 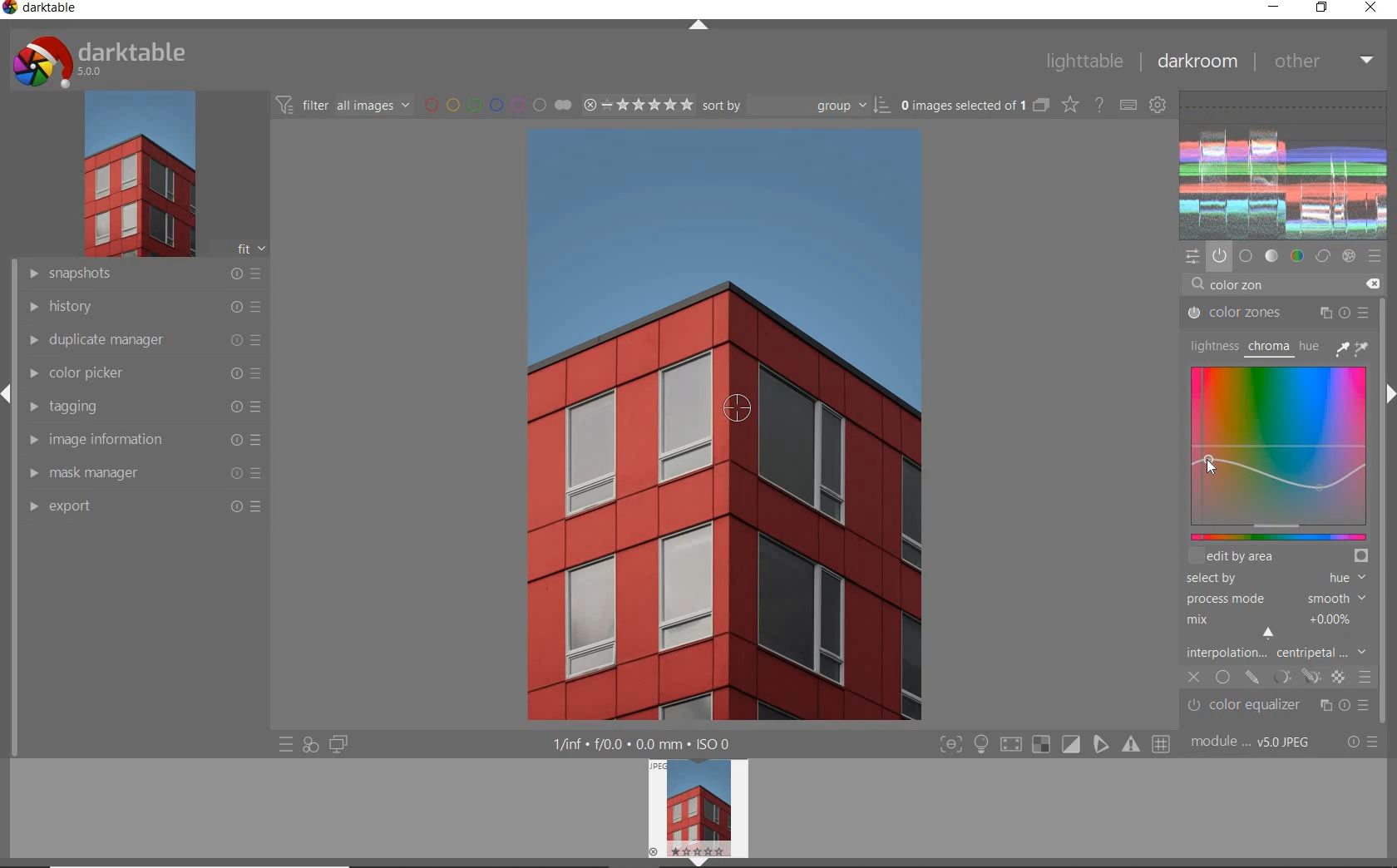 I want to click on EDIT BY AREA, so click(x=1278, y=557).